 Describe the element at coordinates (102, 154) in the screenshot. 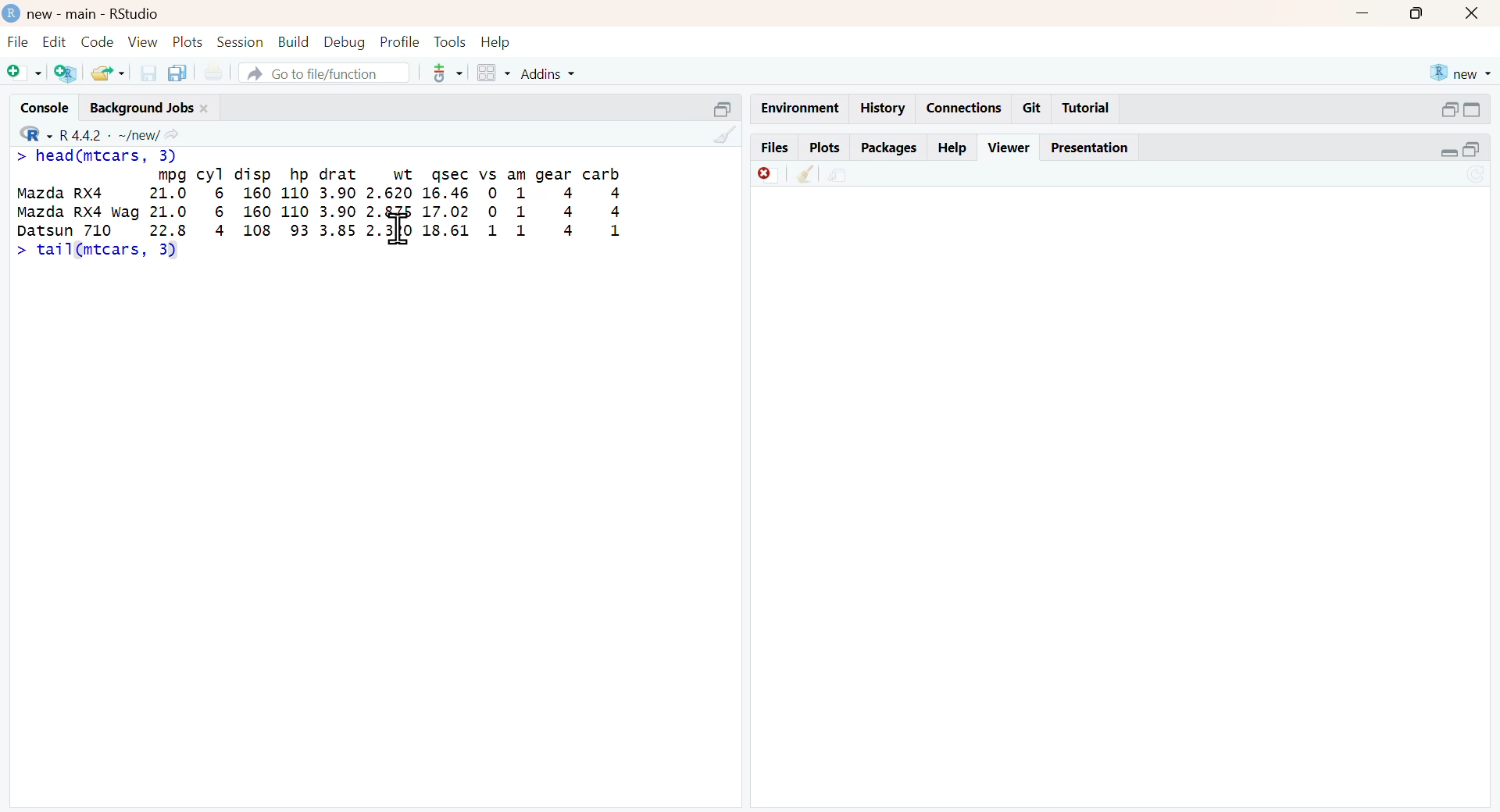

I see `> head(mtcars, 3)` at that location.